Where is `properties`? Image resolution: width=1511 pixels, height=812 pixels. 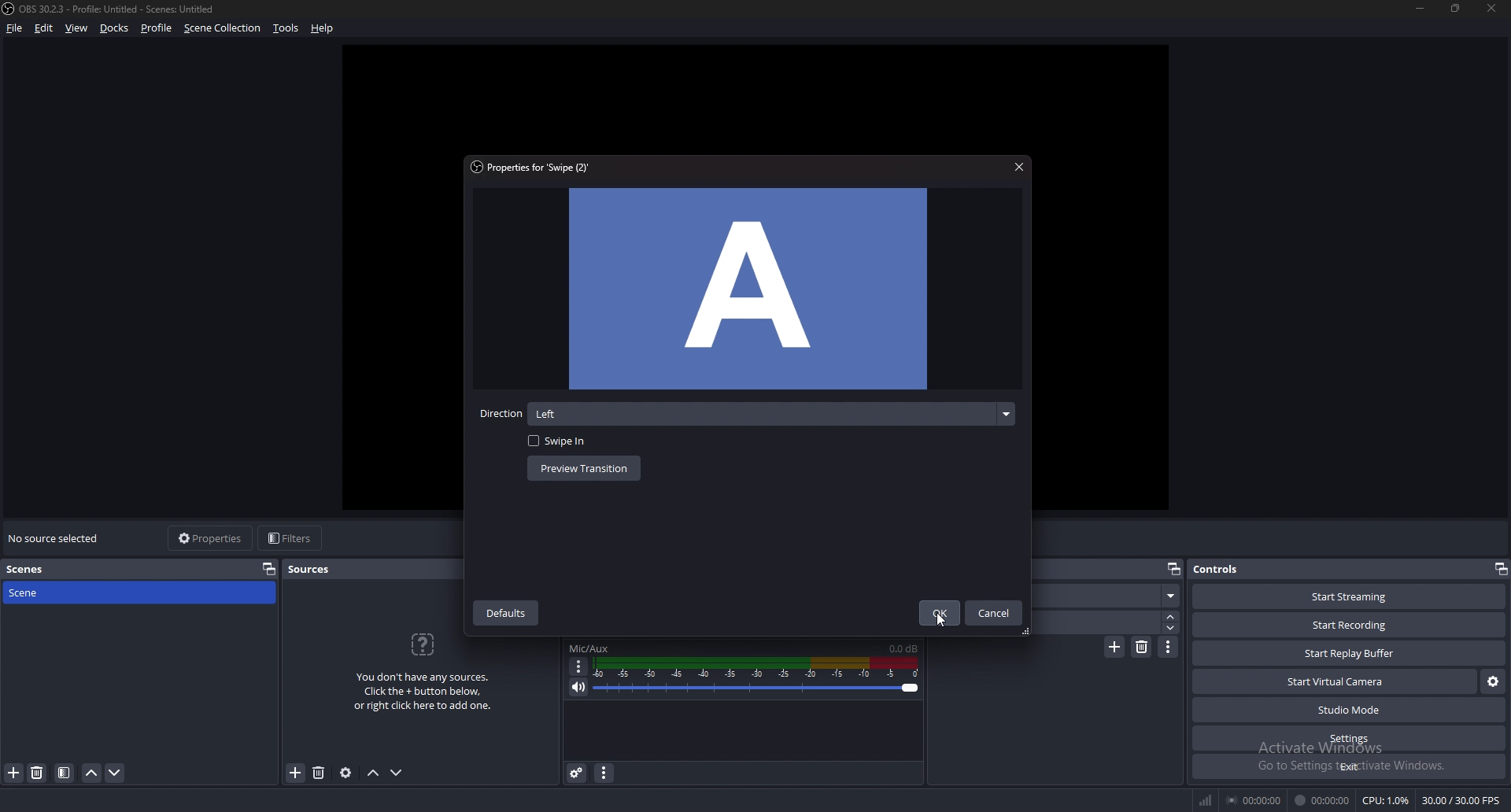
properties is located at coordinates (212, 539).